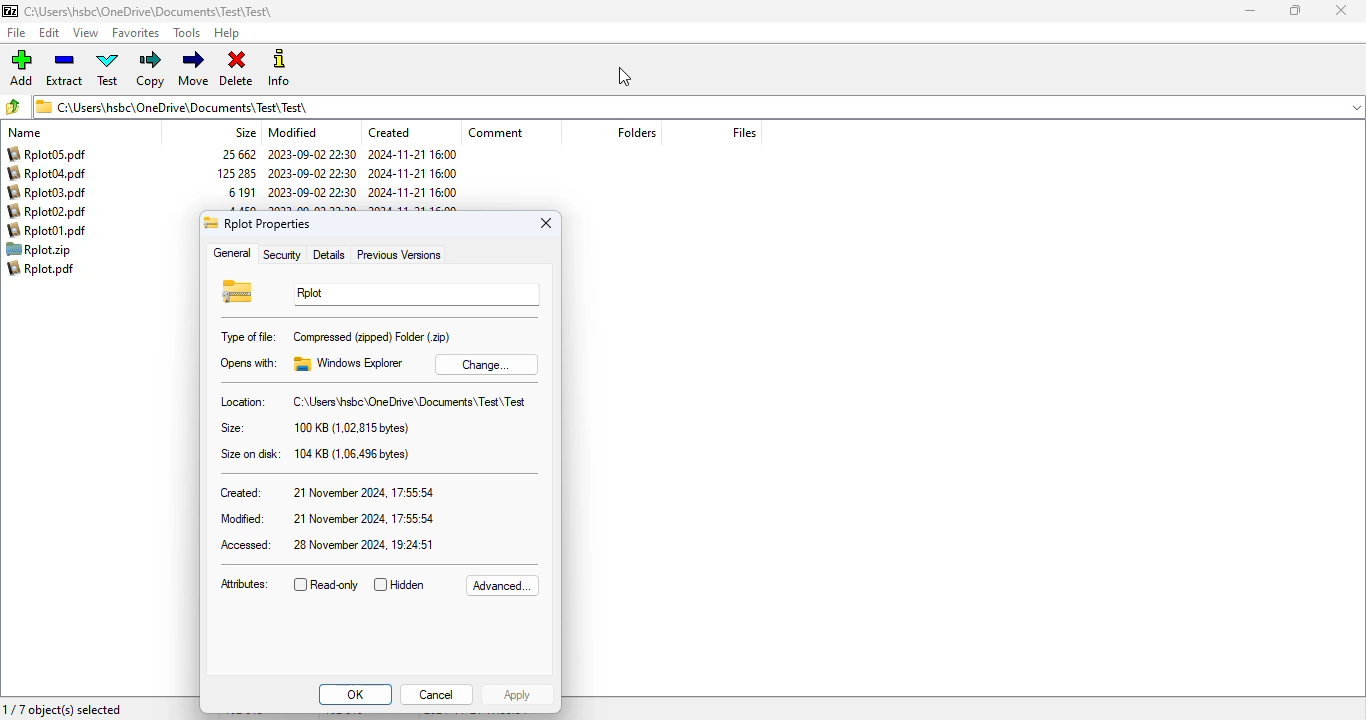  Describe the element at coordinates (1296, 10) in the screenshot. I see `maximize` at that location.